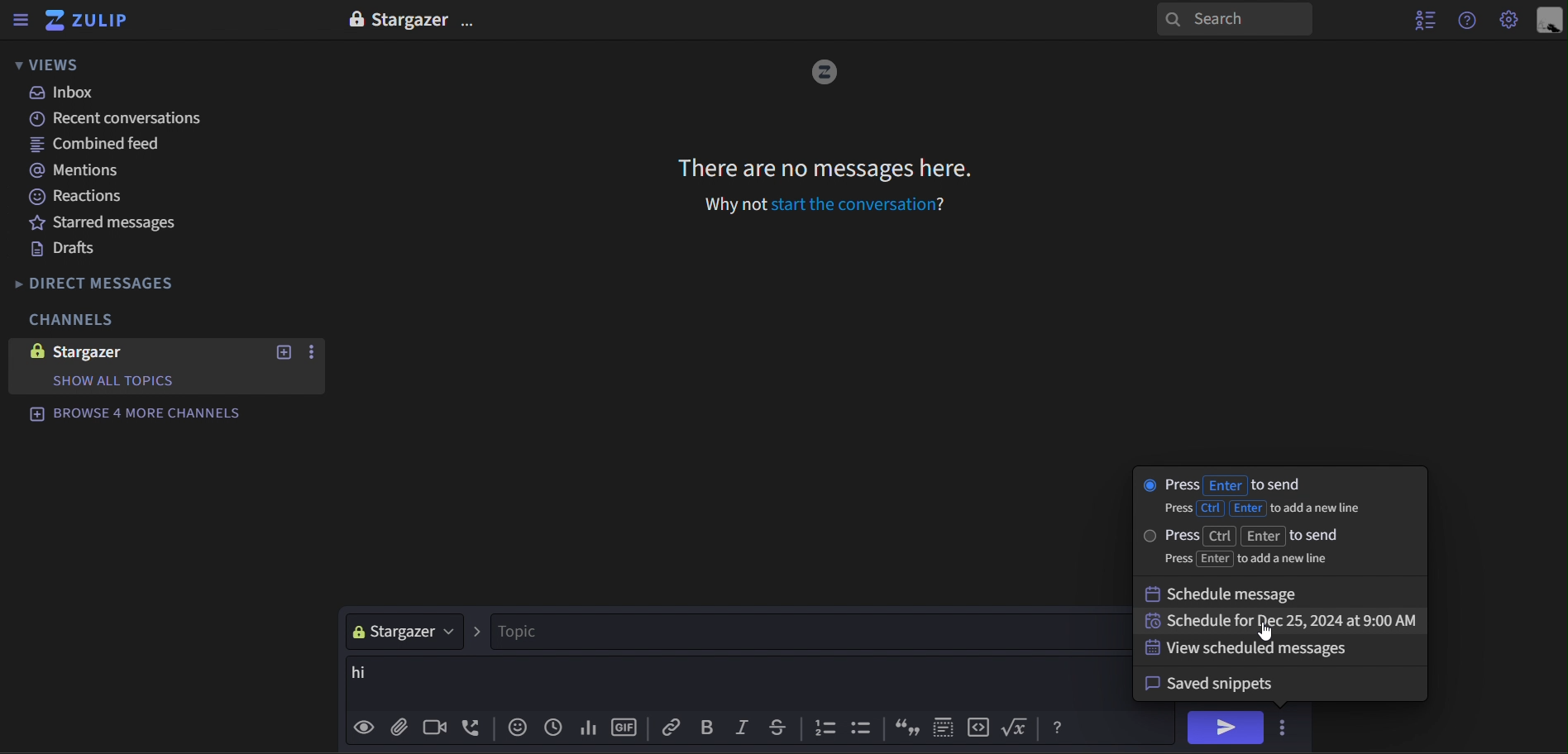 Image resolution: width=1568 pixels, height=754 pixels. I want to click on direct messages, so click(92, 282).